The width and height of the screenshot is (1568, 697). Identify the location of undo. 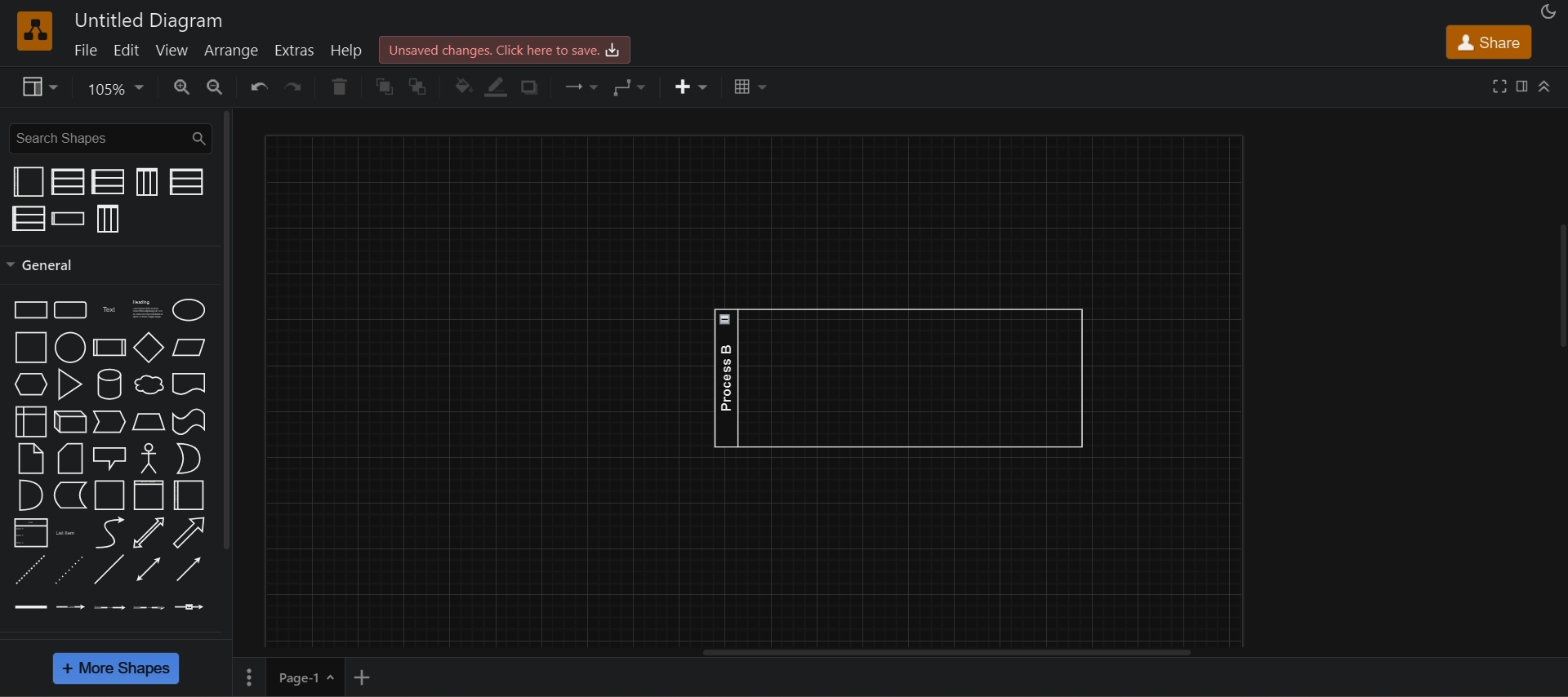
(253, 87).